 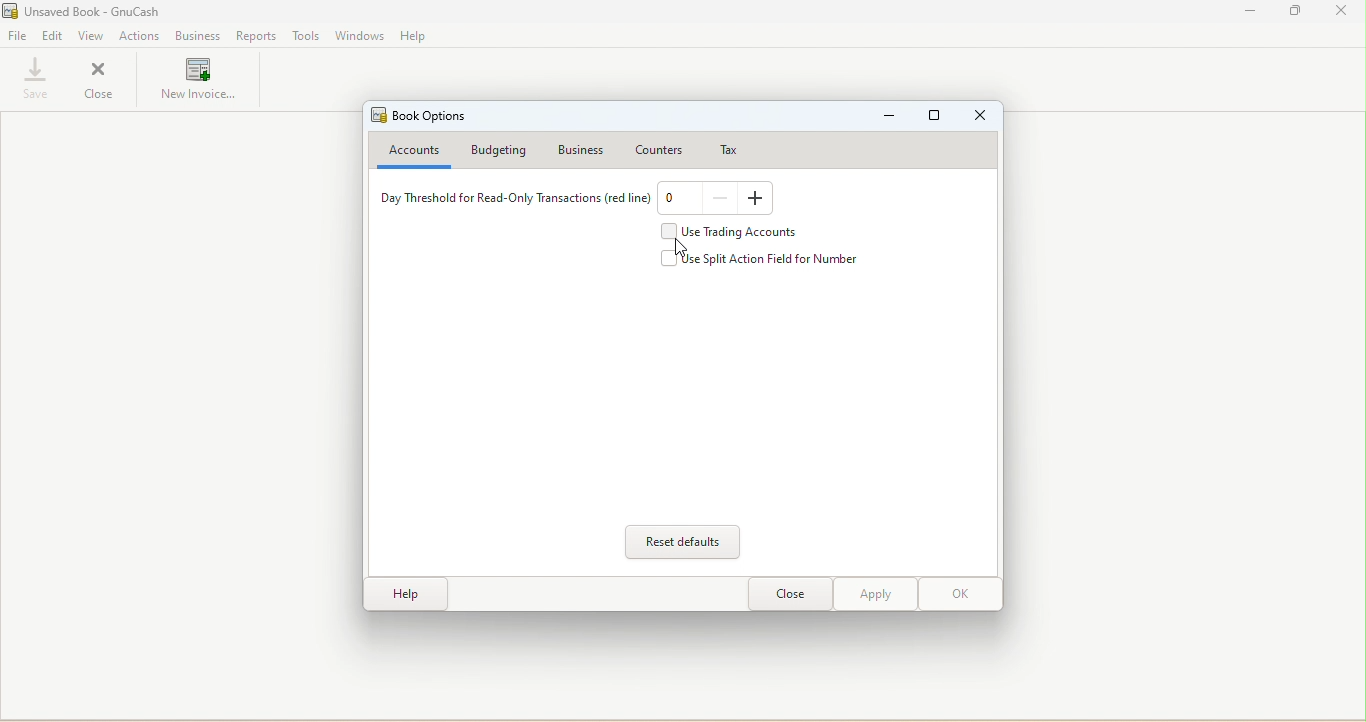 I want to click on Help, so click(x=403, y=595).